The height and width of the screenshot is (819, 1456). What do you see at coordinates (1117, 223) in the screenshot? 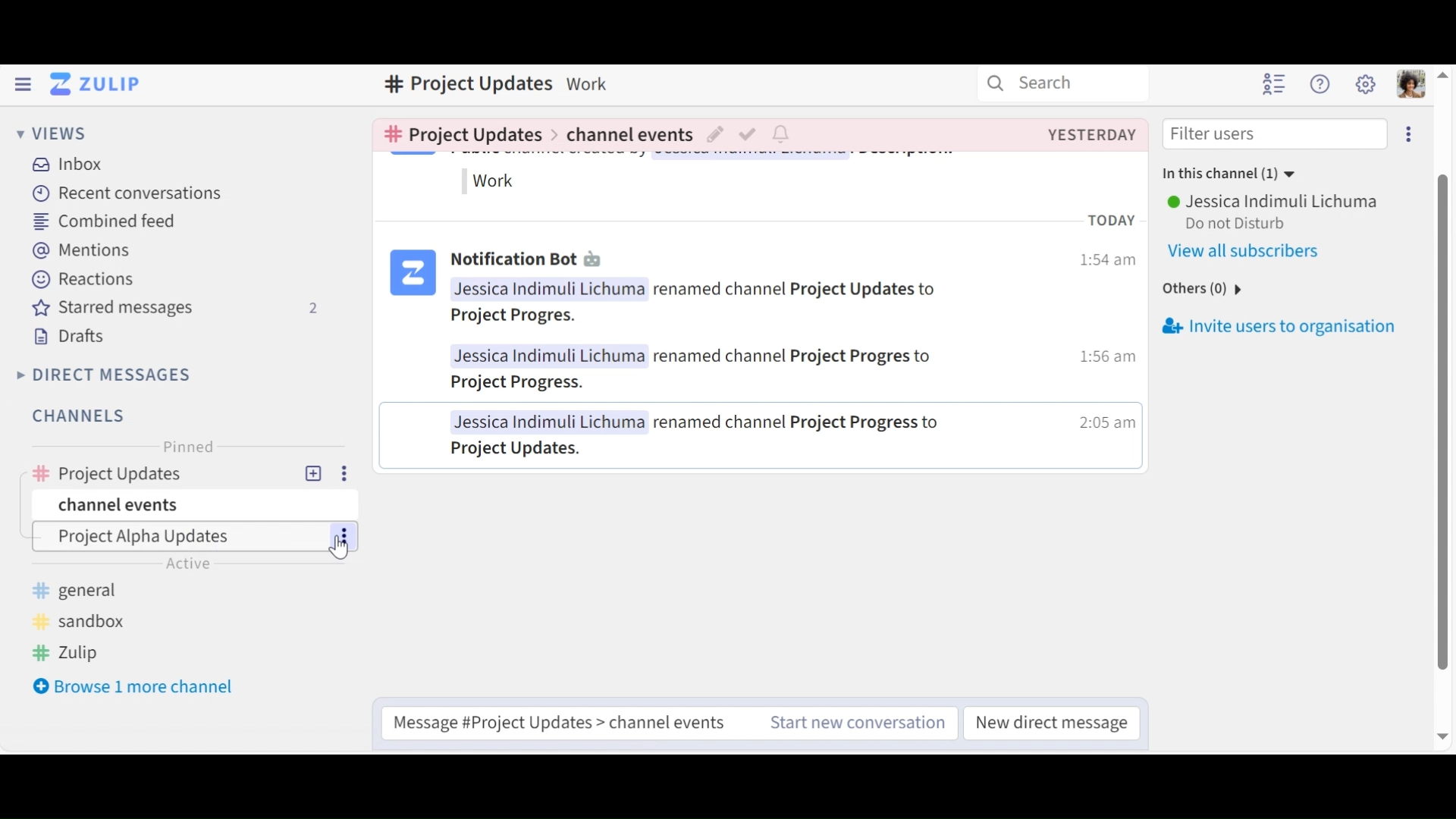
I see `TODAY` at bounding box center [1117, 223].